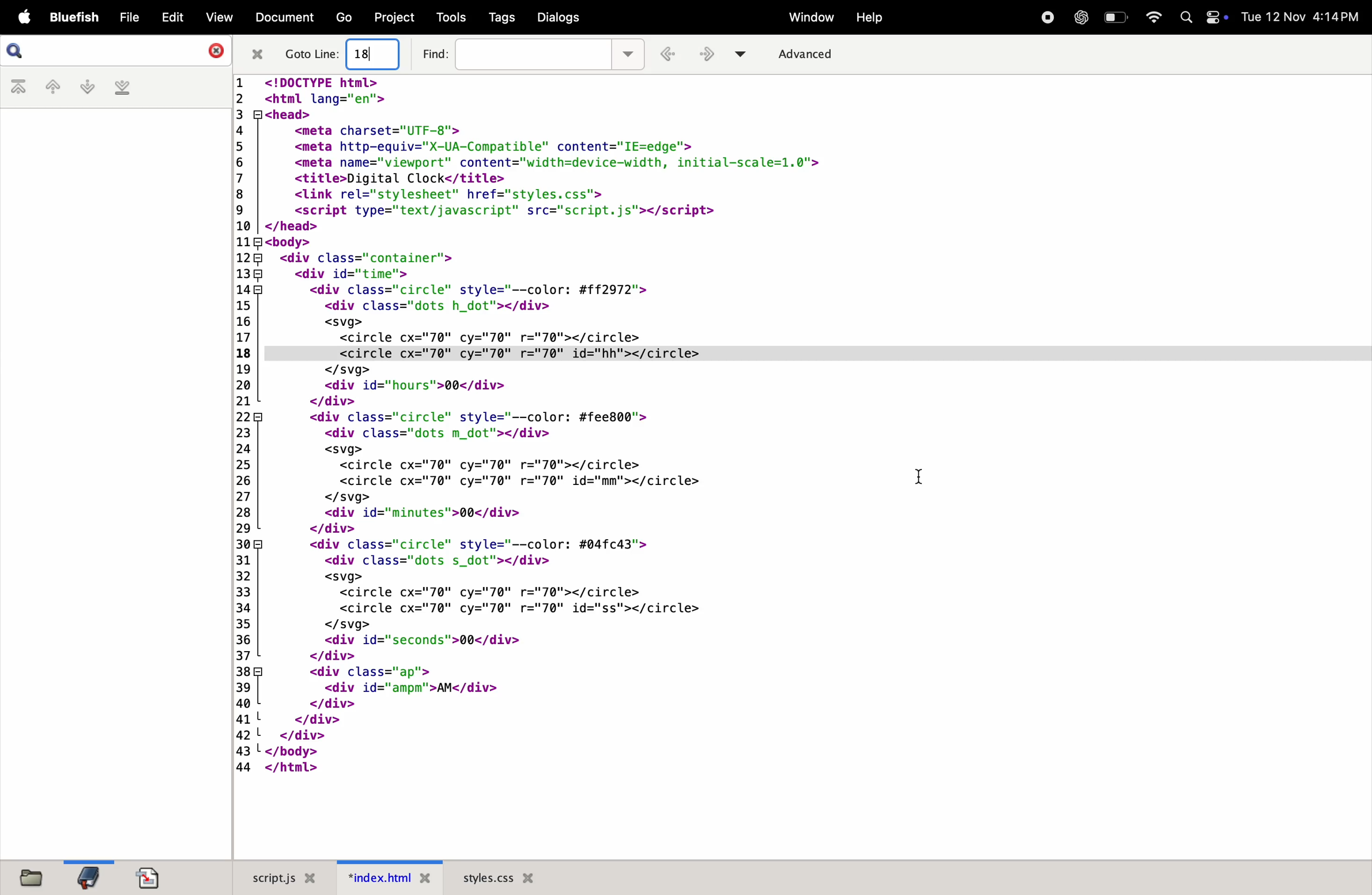 The width and height of the screenshot is (1372, 895). What do you see at coordinates (630, 52) in the screenshot?
I see `drop down` at bounding box center [630, 52].